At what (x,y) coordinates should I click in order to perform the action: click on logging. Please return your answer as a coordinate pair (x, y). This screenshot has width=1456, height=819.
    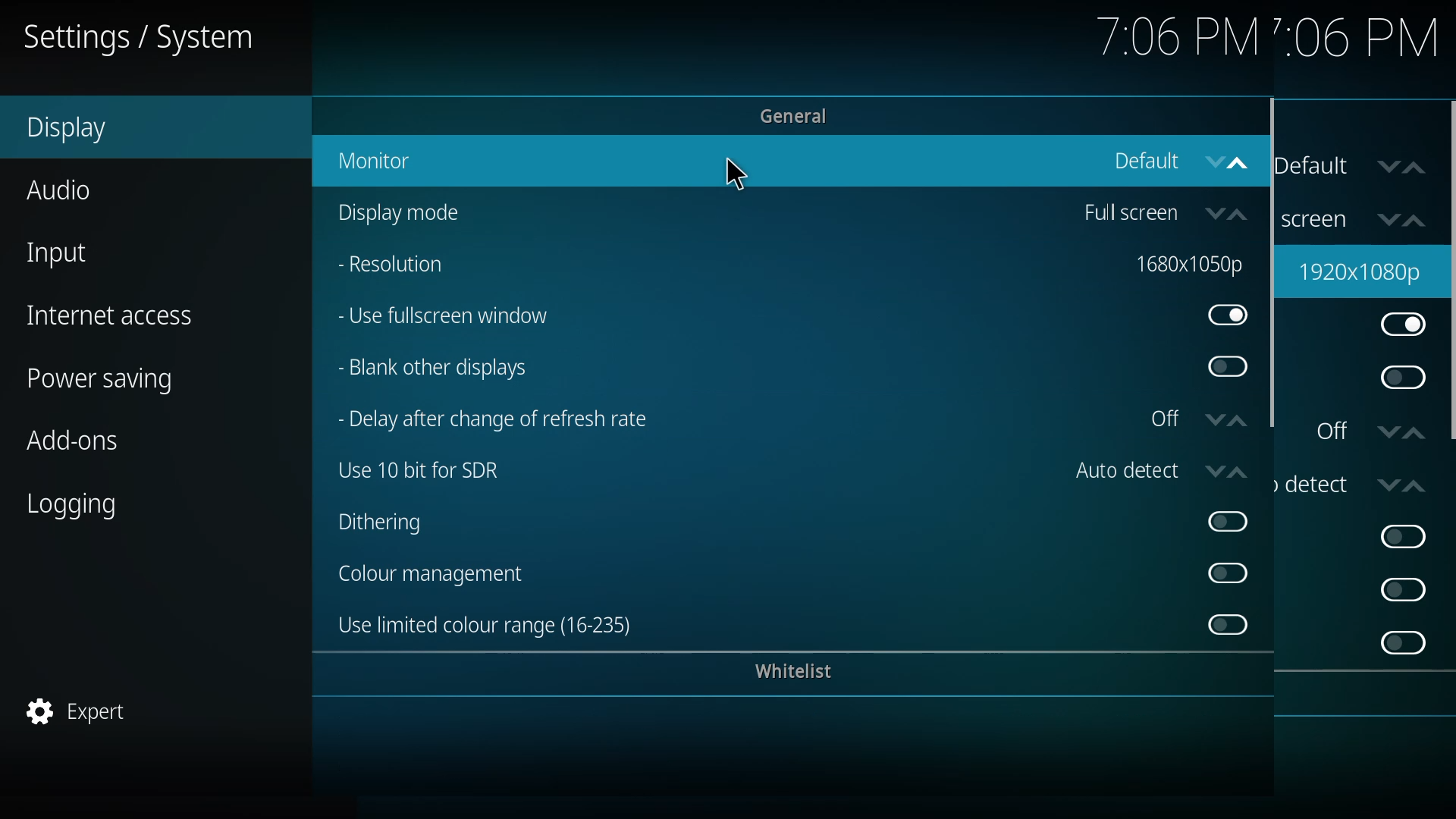
    Looking at the image, I should click on (93, 522).